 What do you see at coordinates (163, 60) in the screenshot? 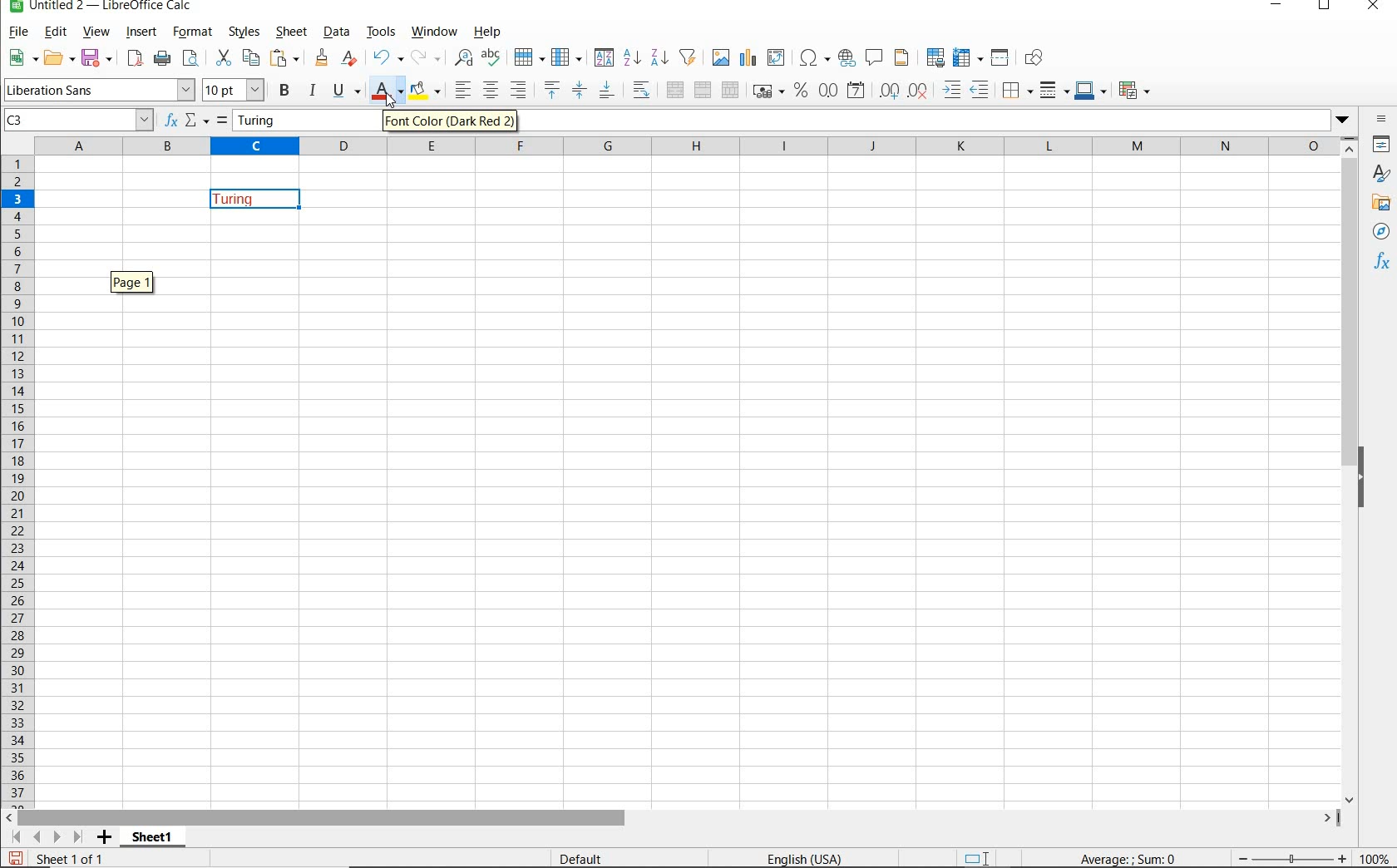
I see `PRINT` at bounding box center [163, 60].